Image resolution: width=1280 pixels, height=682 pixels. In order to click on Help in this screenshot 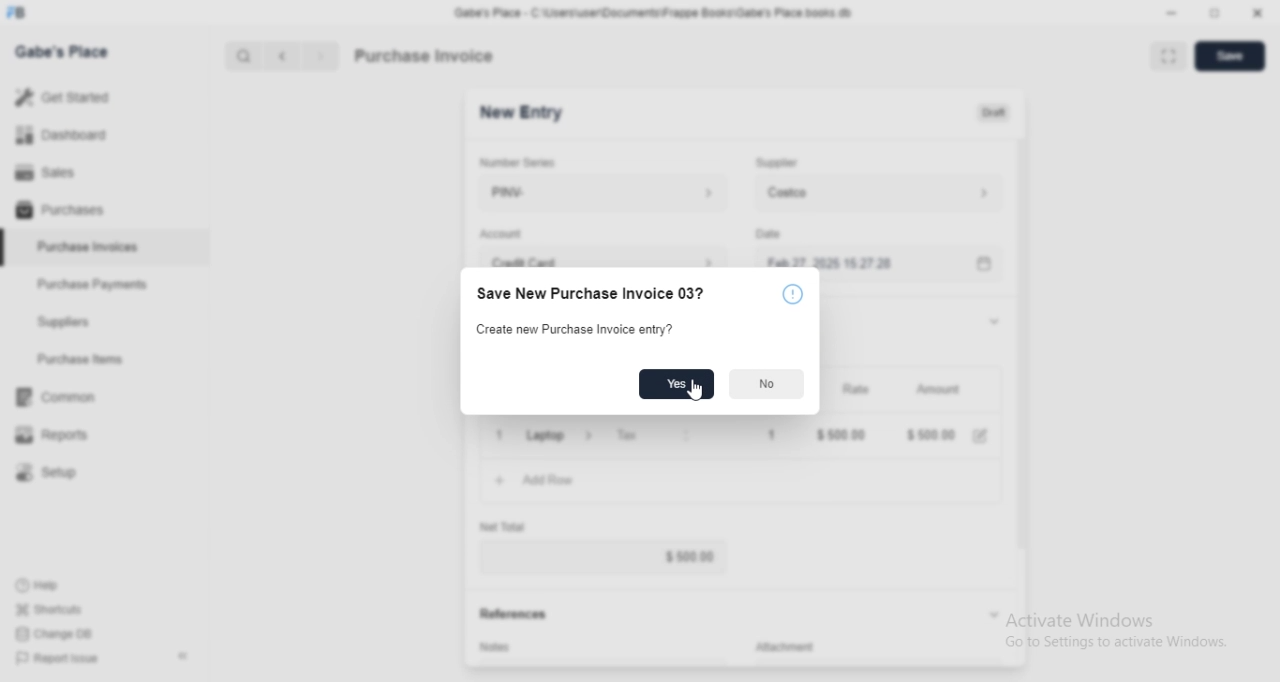, I will do `click(49, 586)`.